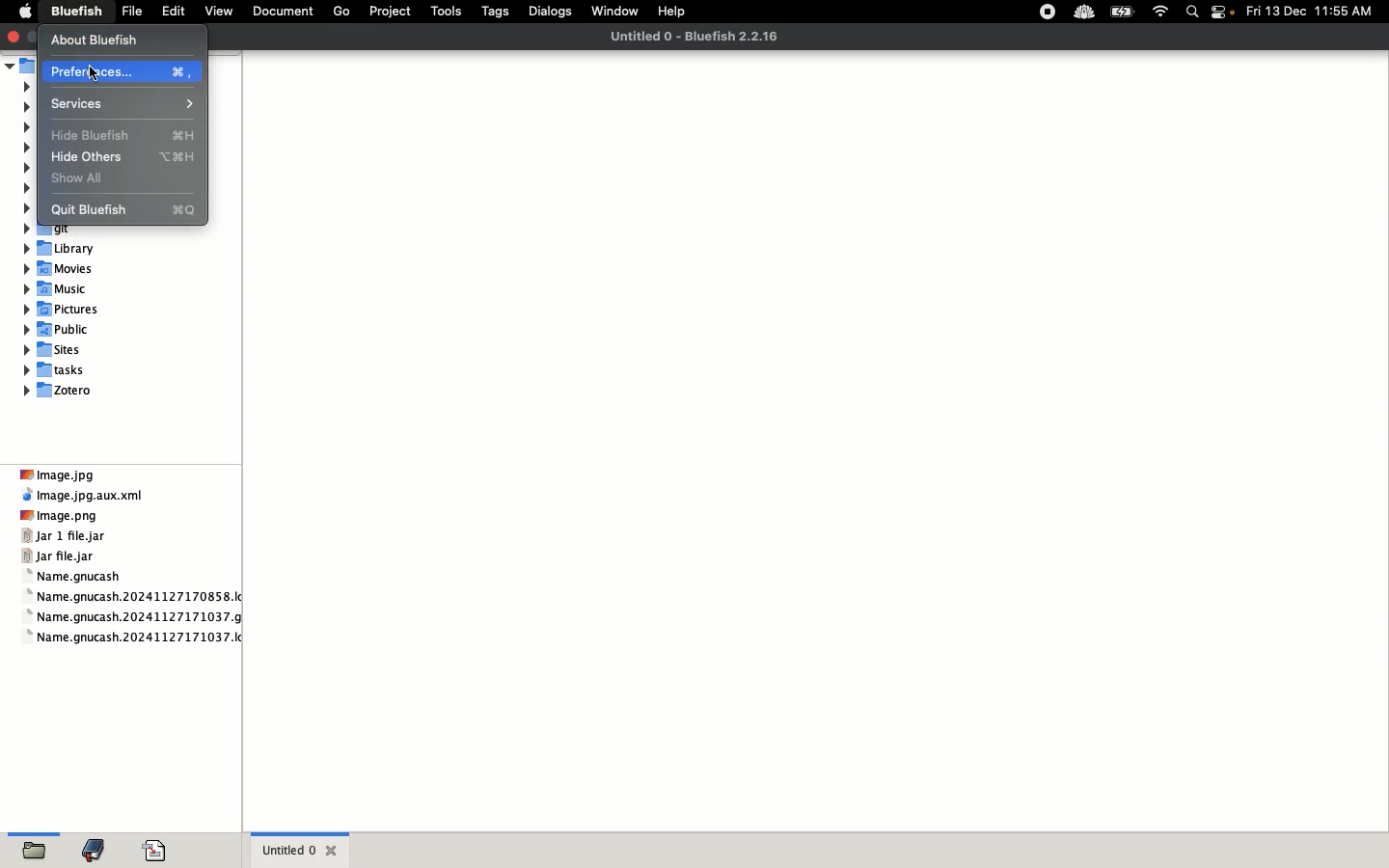  What do you see at coordinates (1064, 12) in the screenshot?
I see `Extensions` at bounding box center [1064, 12].